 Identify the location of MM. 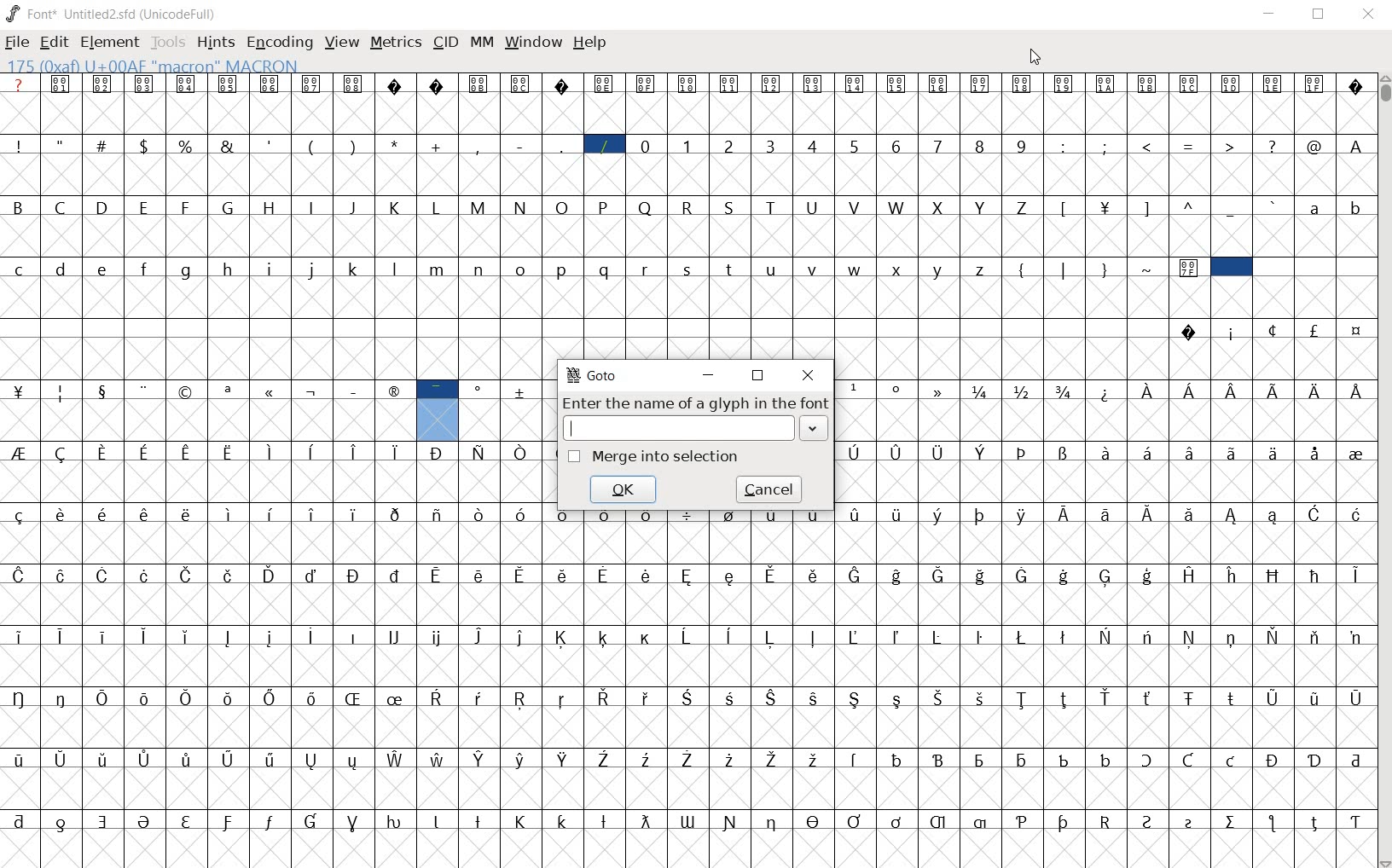
(481, 44).